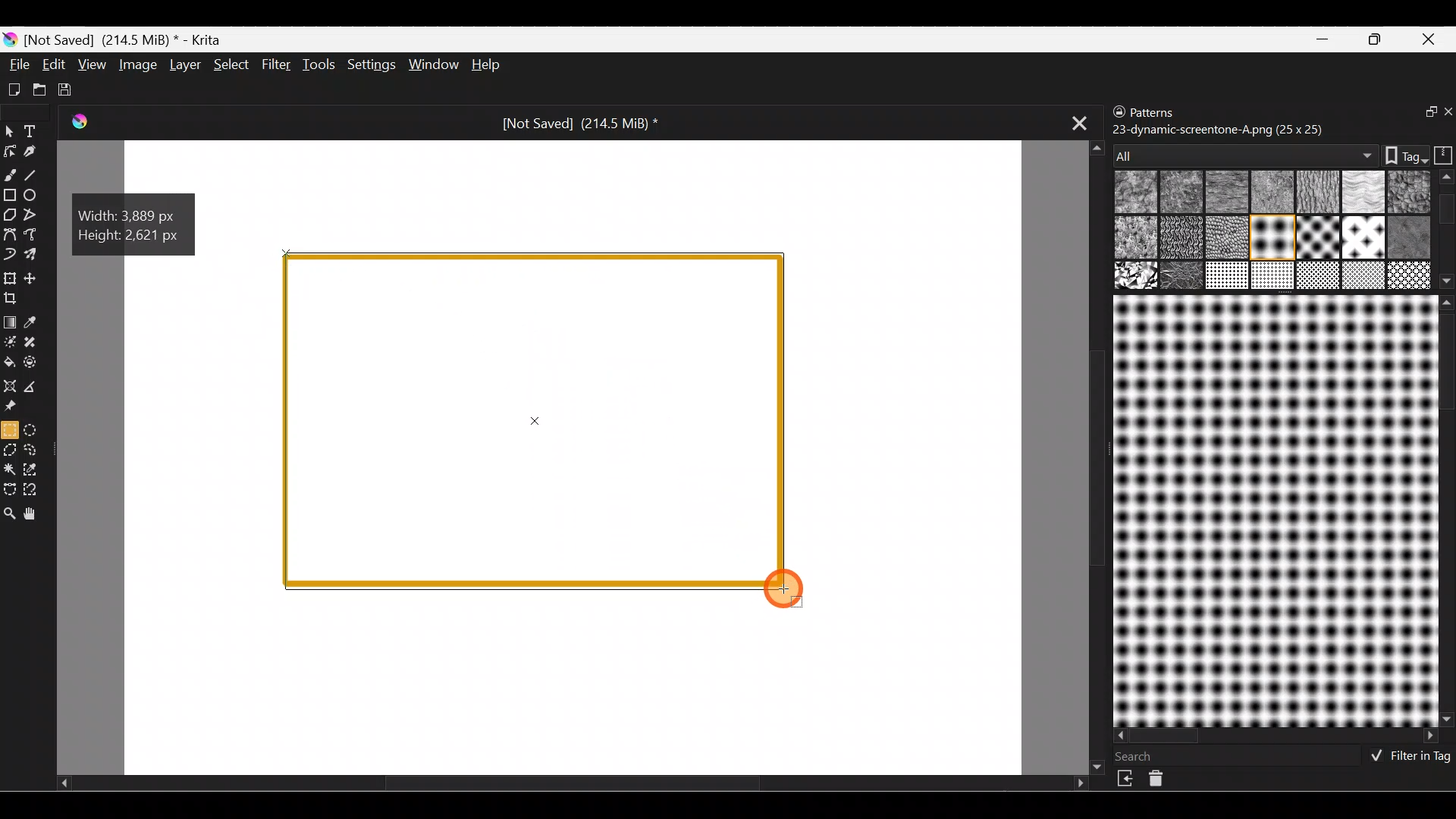  I want to click on Line tool, so click(38, 174).